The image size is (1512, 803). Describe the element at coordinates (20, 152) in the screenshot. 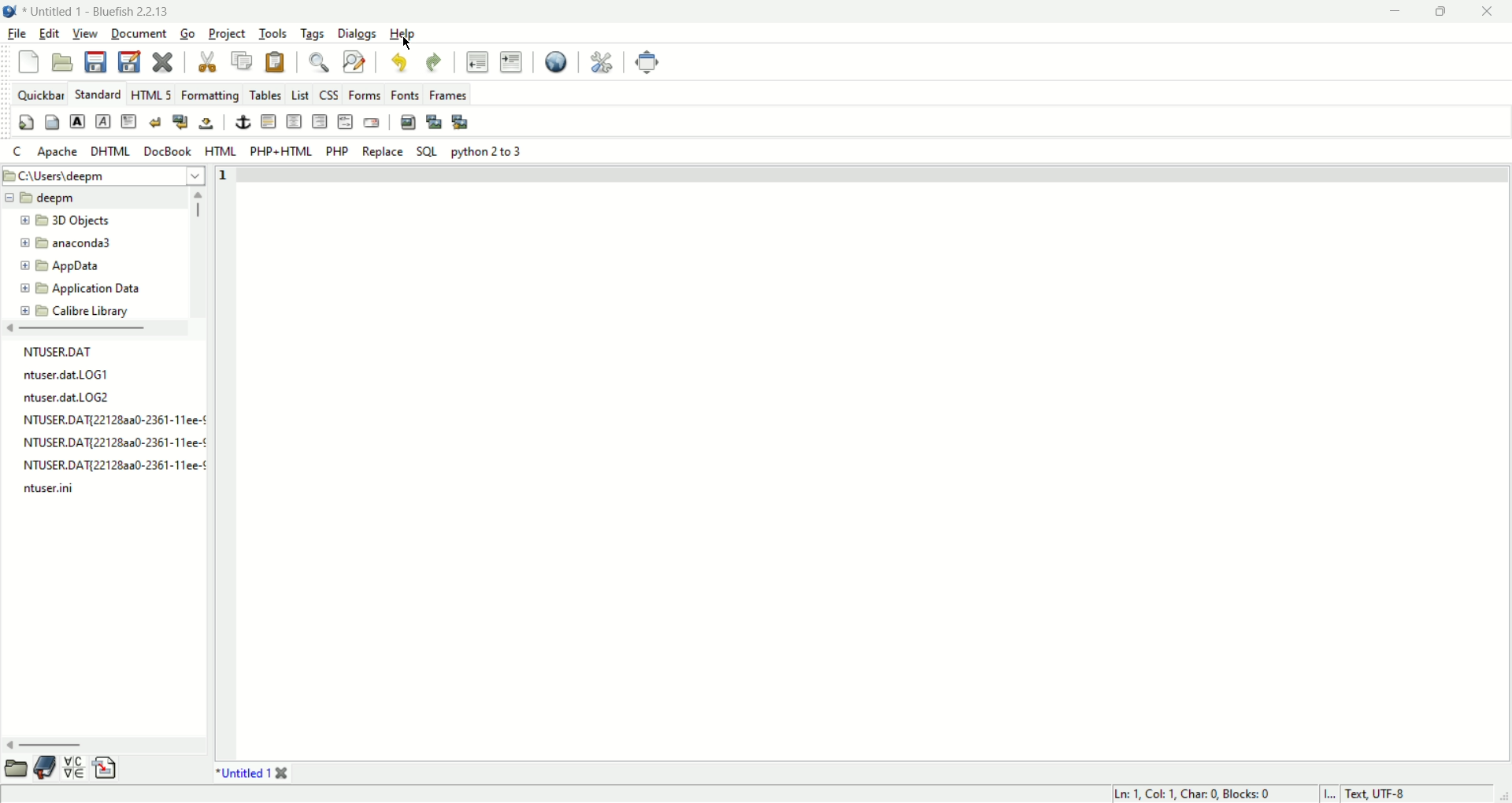

I see `C` at that location.